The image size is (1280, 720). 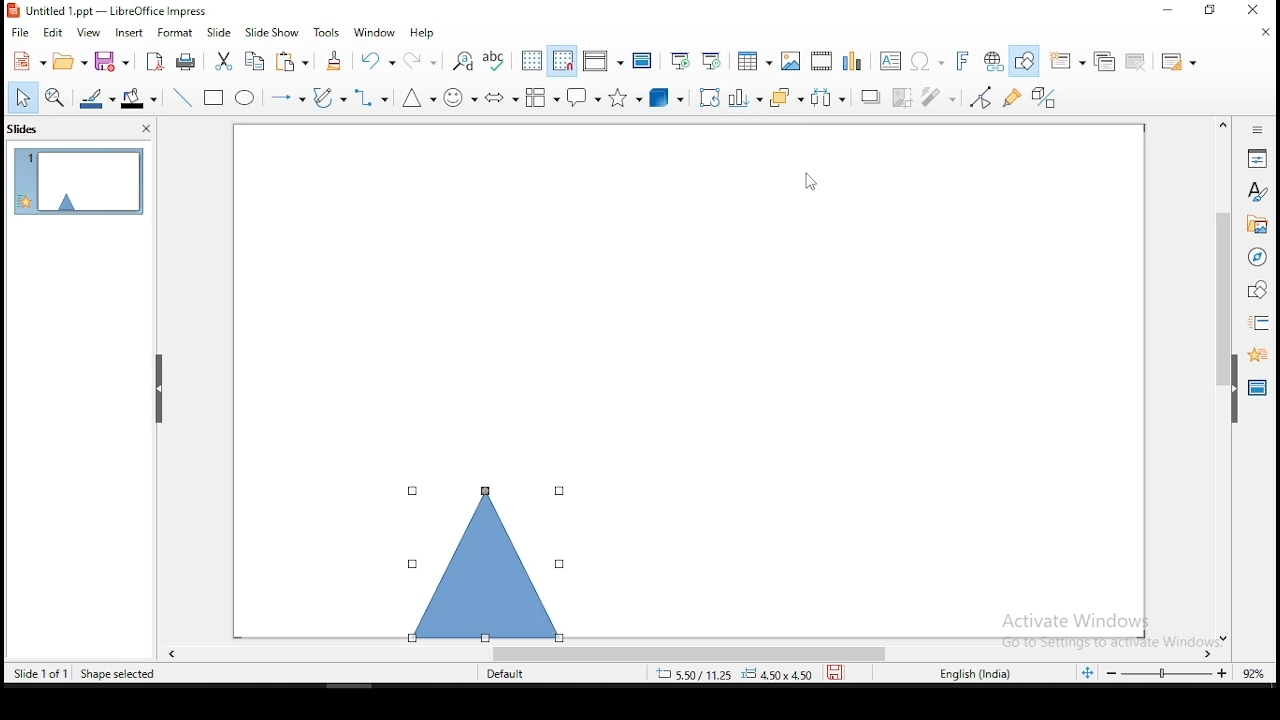 I want to click on crop image, so click(x=904, y=96).